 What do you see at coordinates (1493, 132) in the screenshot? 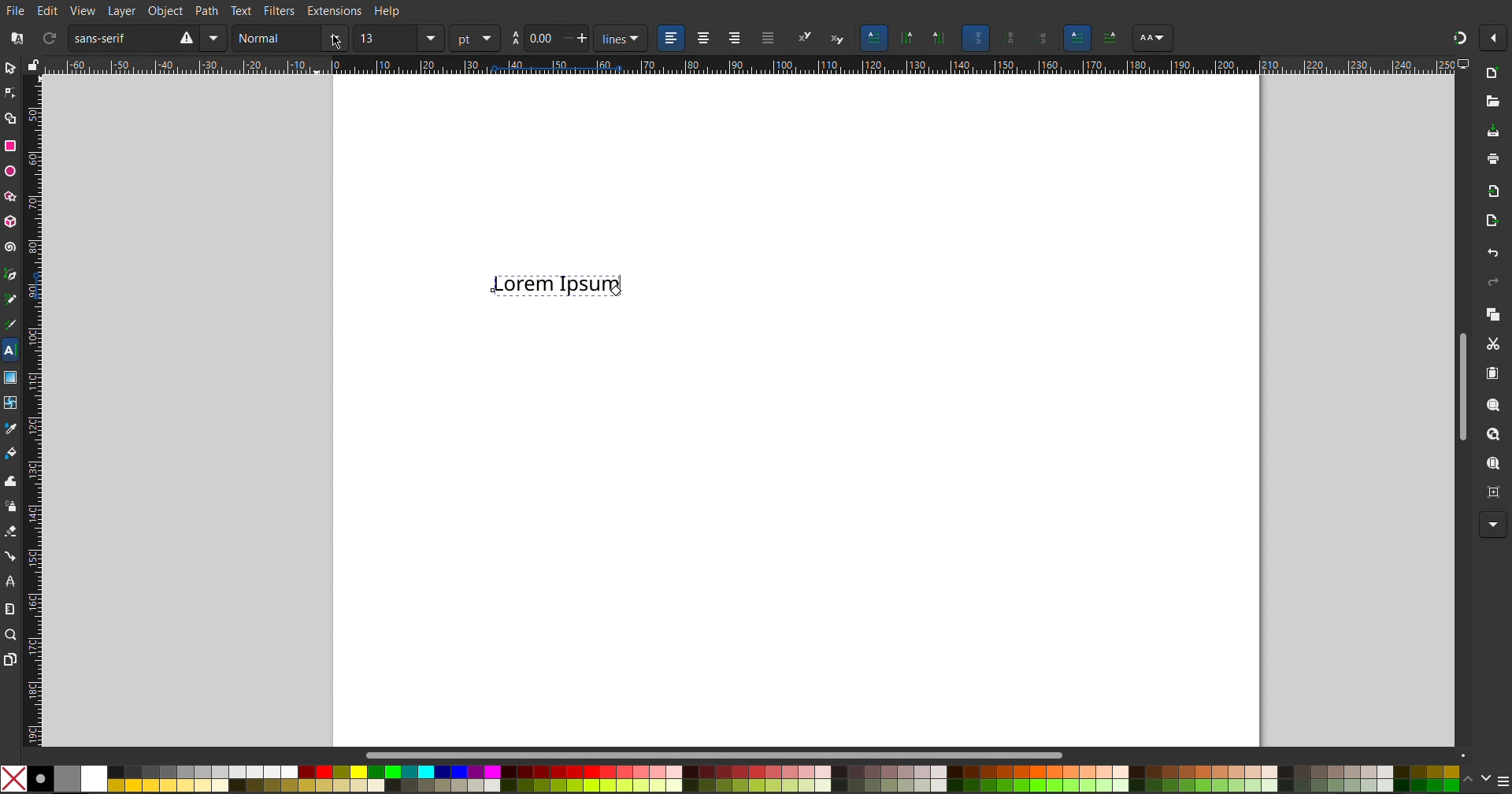
I see `Save` at bounding box center [1493, 132].